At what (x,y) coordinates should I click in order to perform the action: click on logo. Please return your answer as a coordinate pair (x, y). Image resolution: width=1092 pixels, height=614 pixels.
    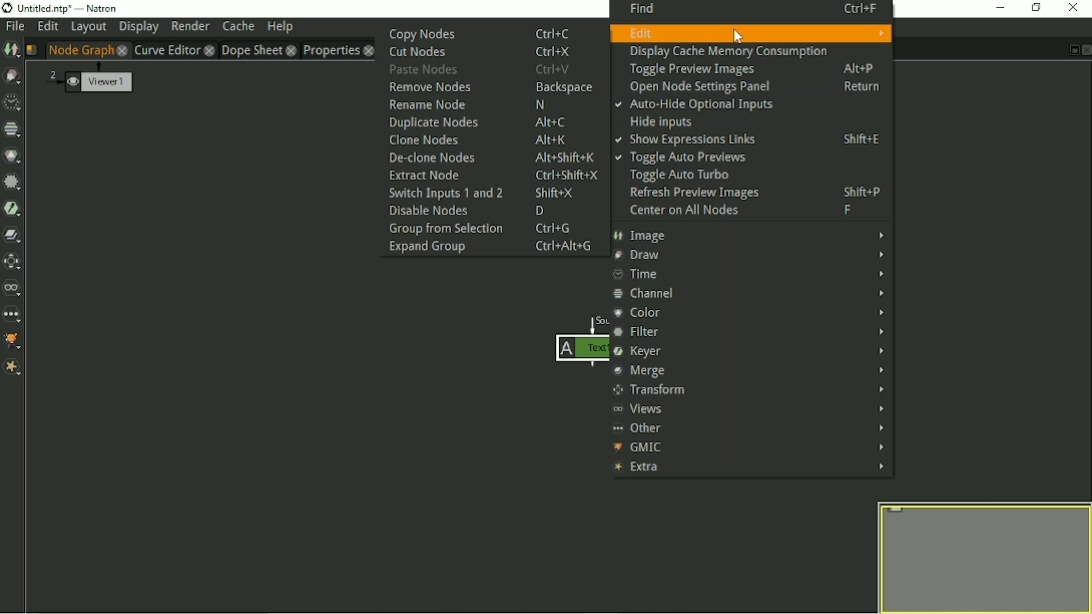
    Looking at the image, I should click on (7, 9).